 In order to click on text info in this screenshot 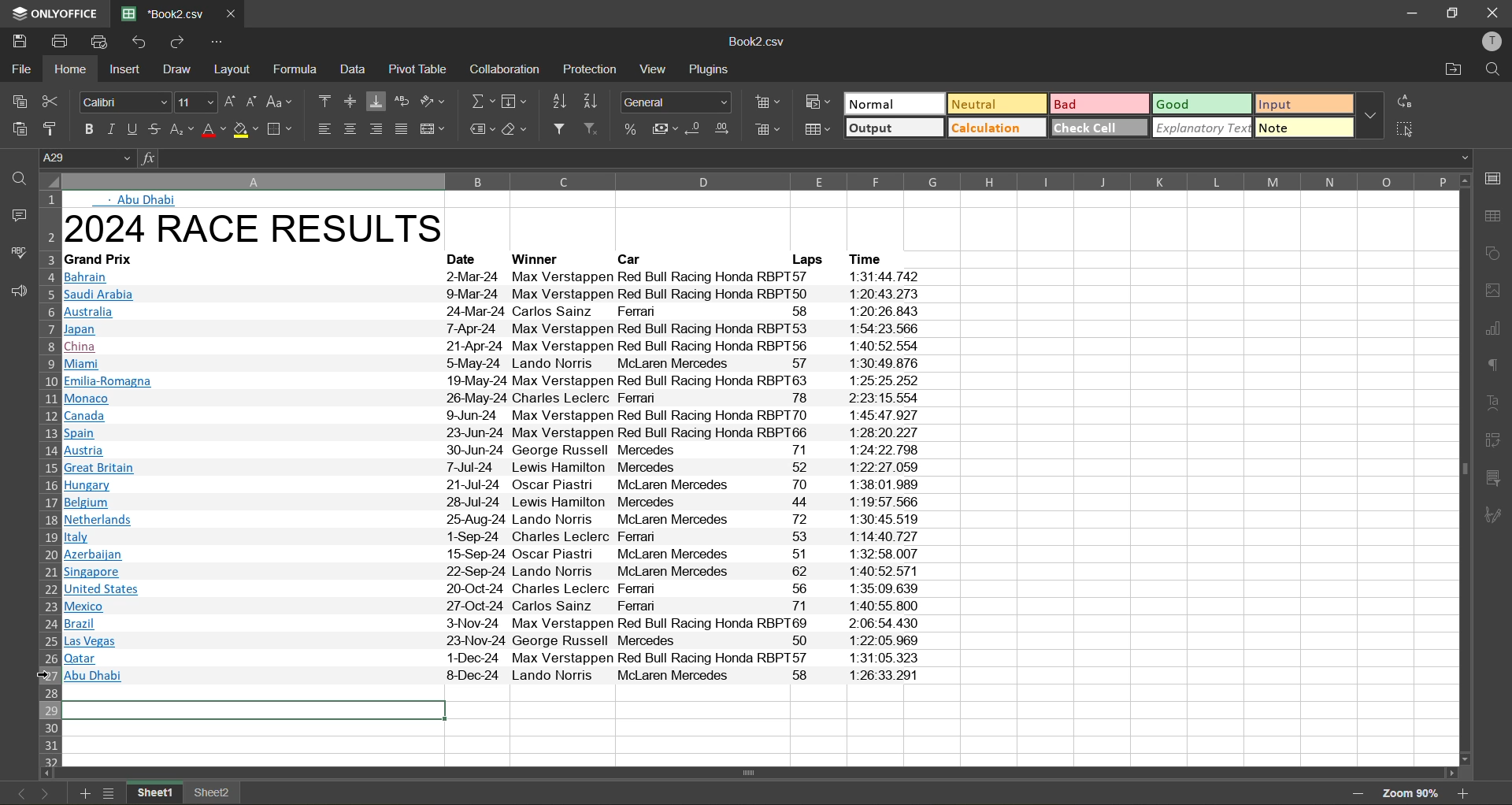, I will do `click(804, 259)`.